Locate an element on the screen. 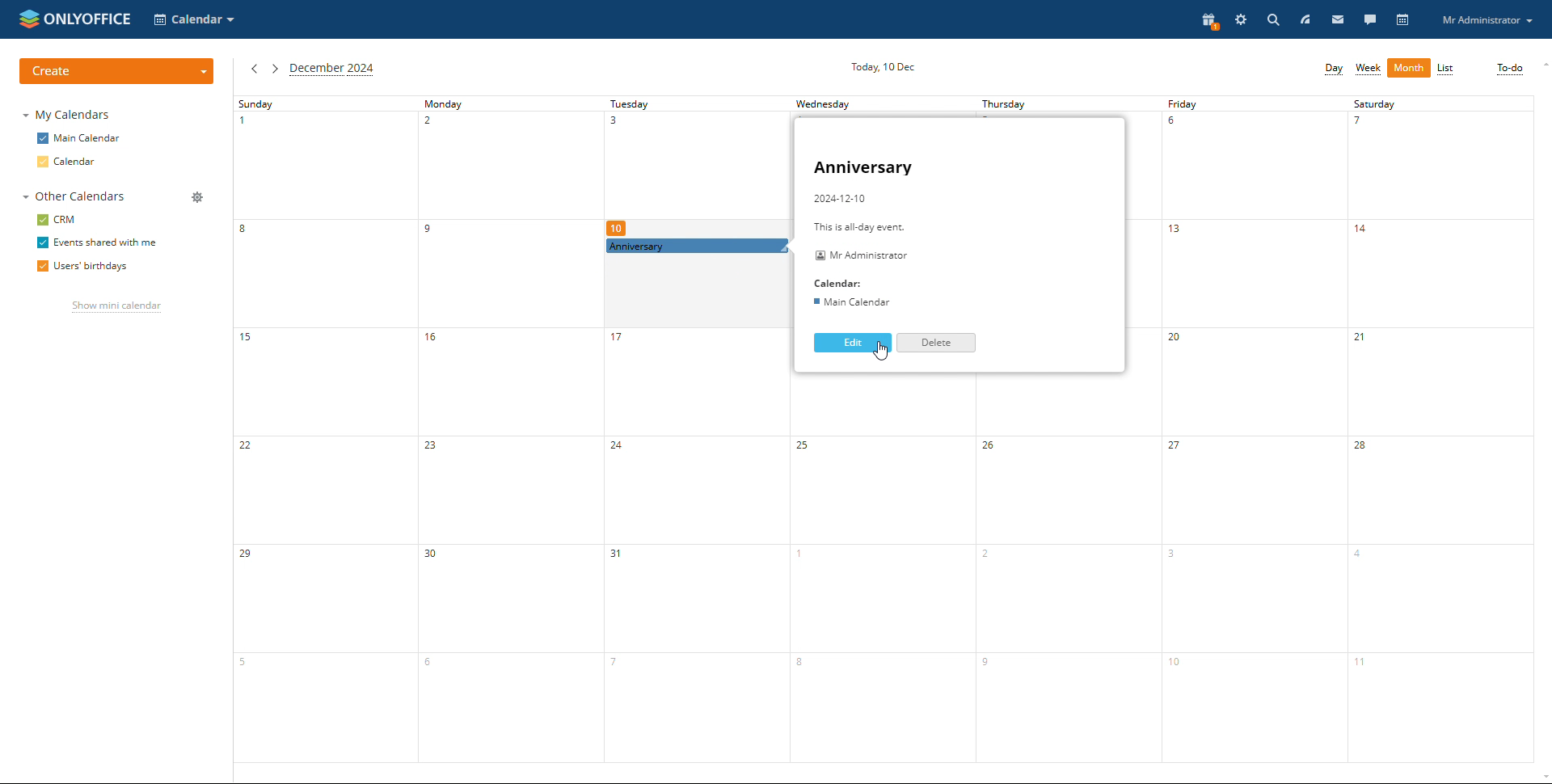 The image size is (1552, 784). search is located at coordinates (1272, 19).